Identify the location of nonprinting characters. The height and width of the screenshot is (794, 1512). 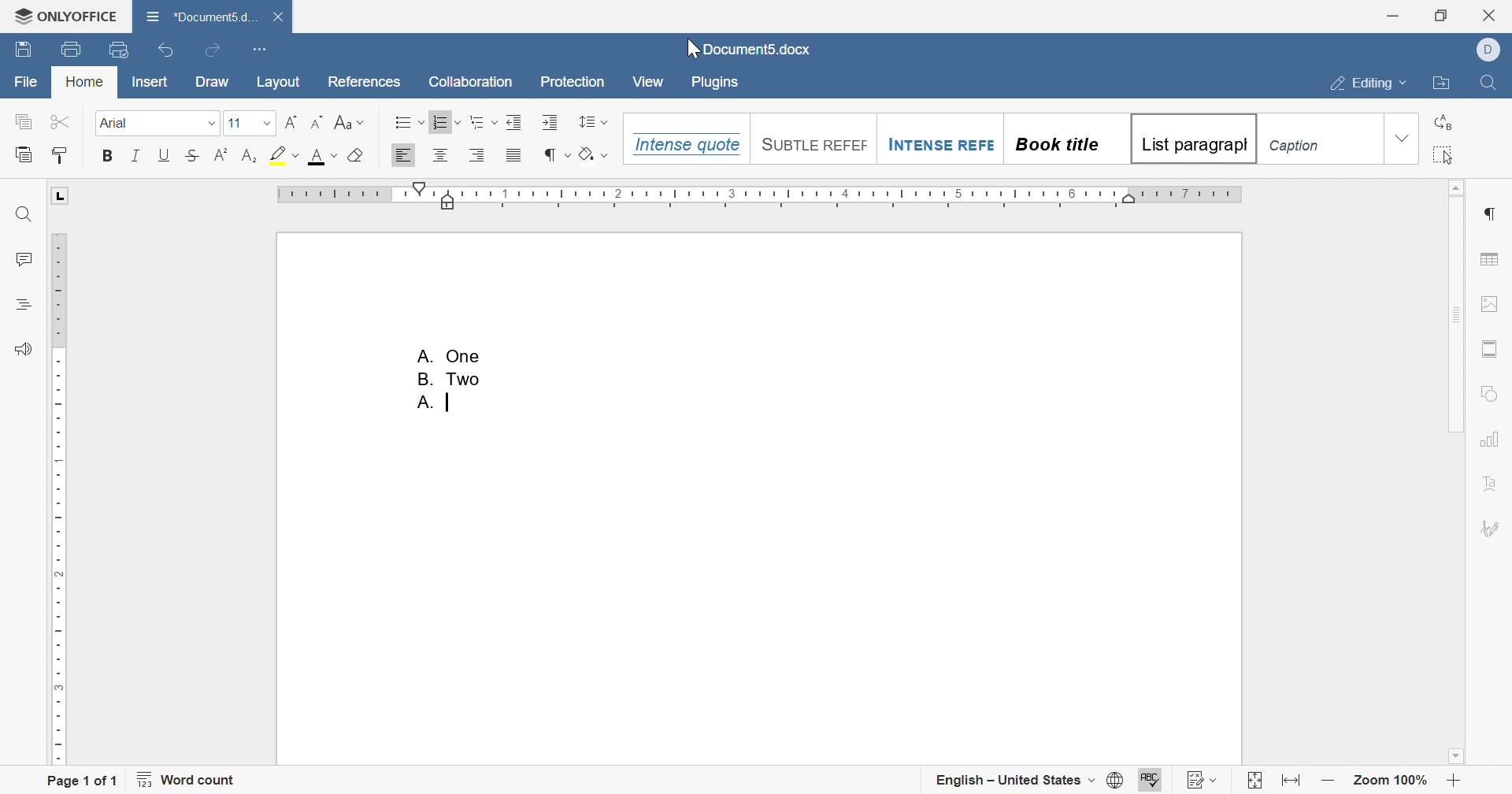
(557, 155).